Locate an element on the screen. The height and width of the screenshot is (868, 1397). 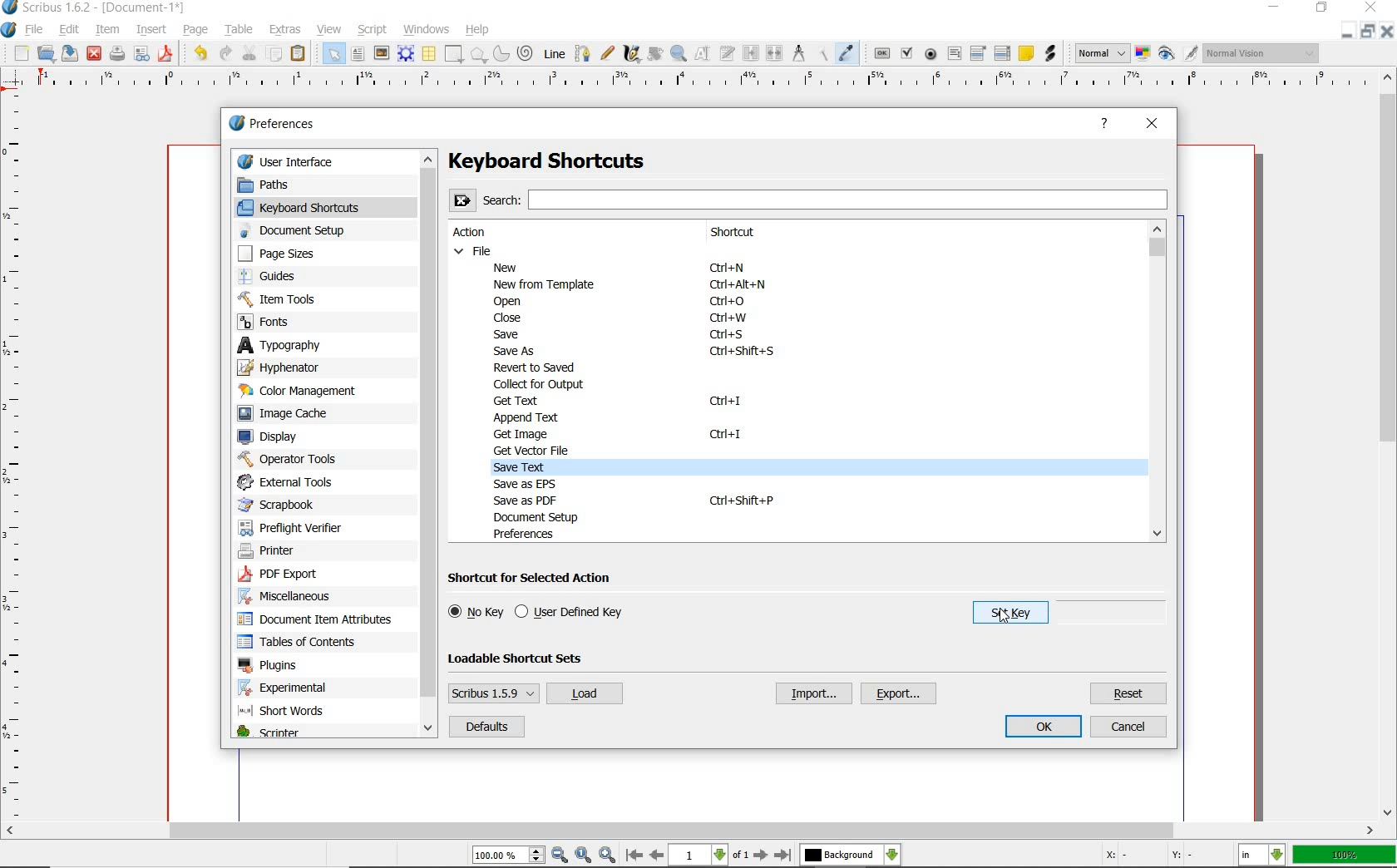
line is located at coordinates (553, 54).